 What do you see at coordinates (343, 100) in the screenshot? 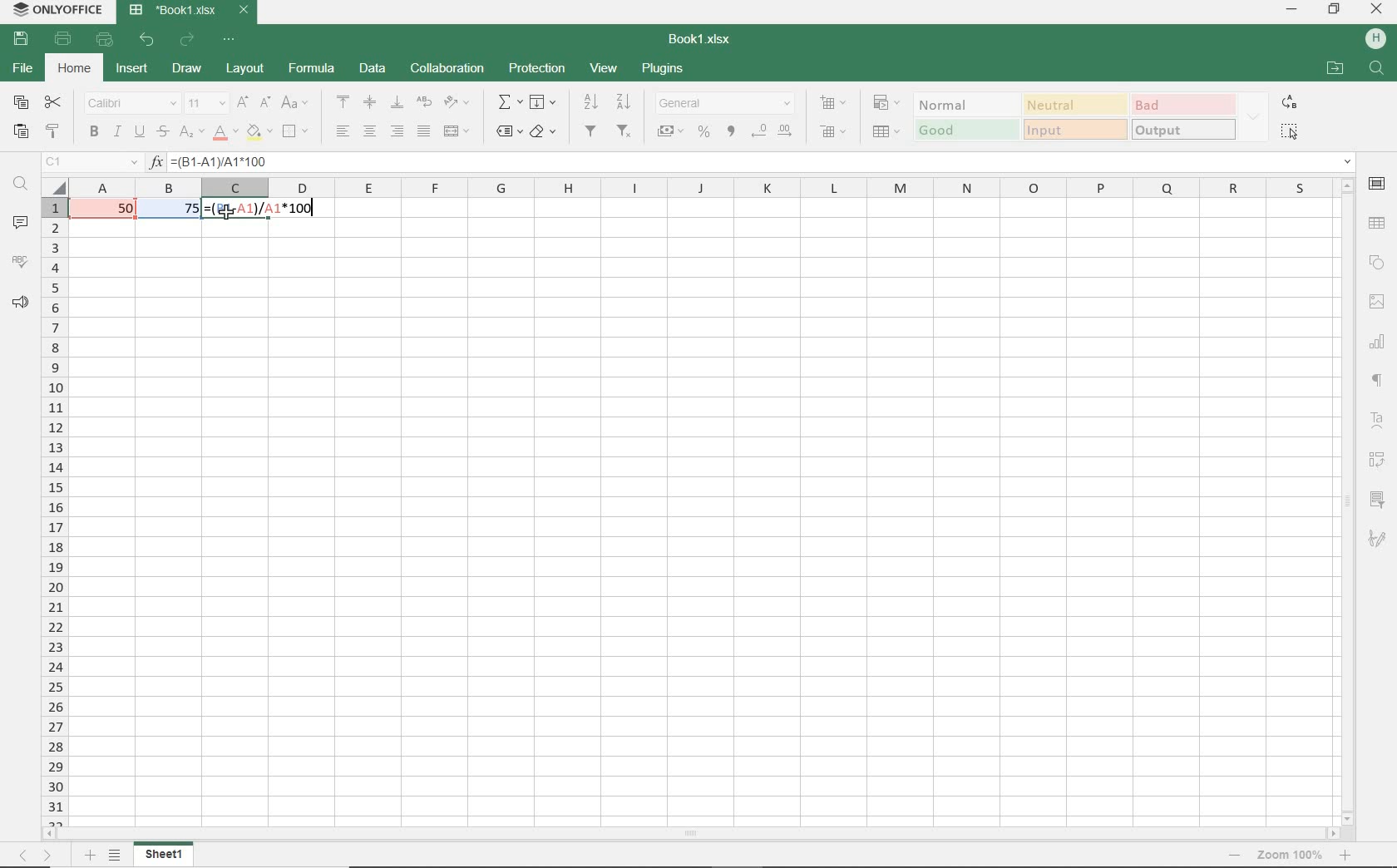
I see `align top` at bounding box center [343, 100].